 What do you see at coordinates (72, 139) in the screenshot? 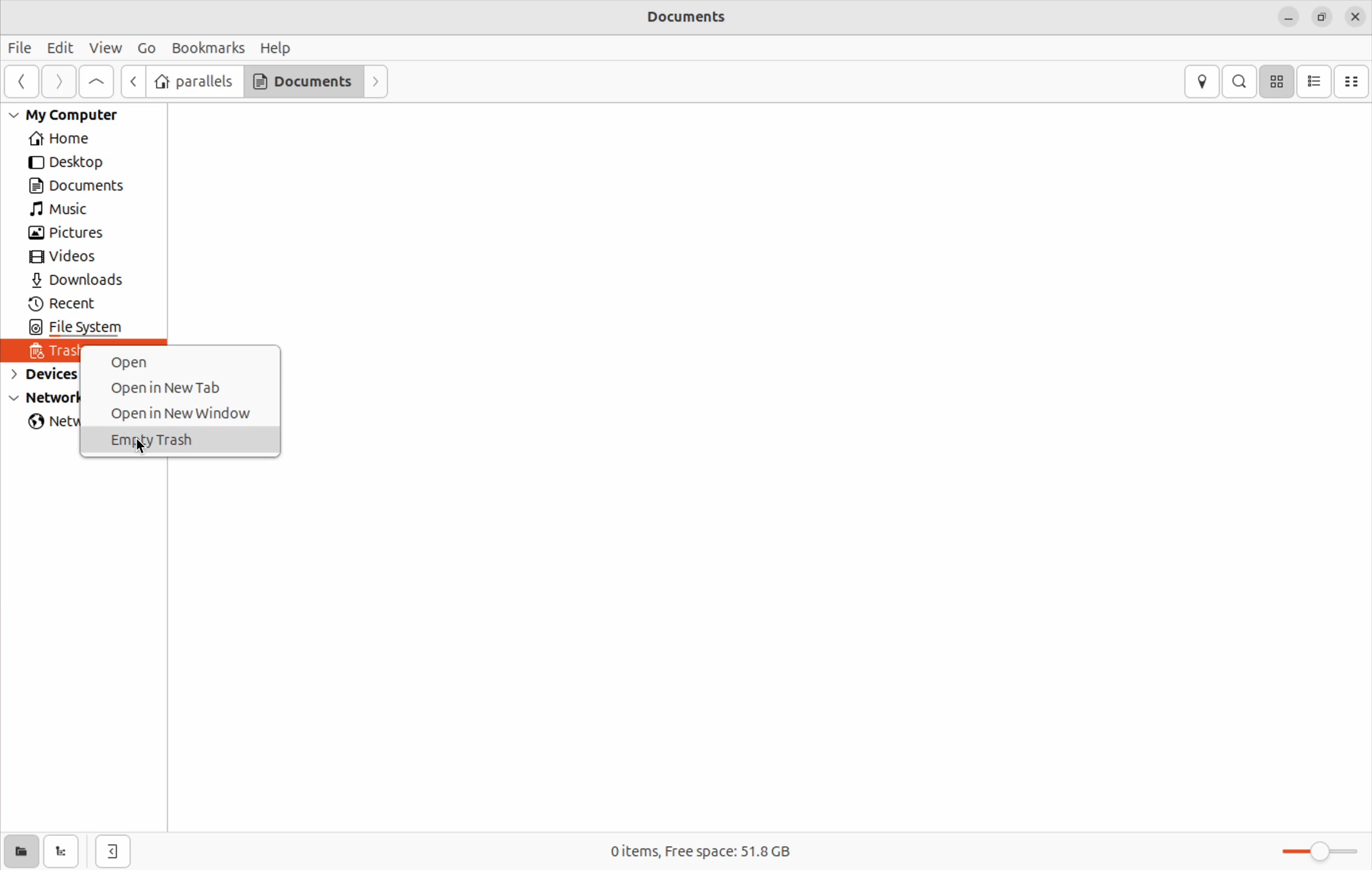
I see `Home` at bounding box center [72, 139].